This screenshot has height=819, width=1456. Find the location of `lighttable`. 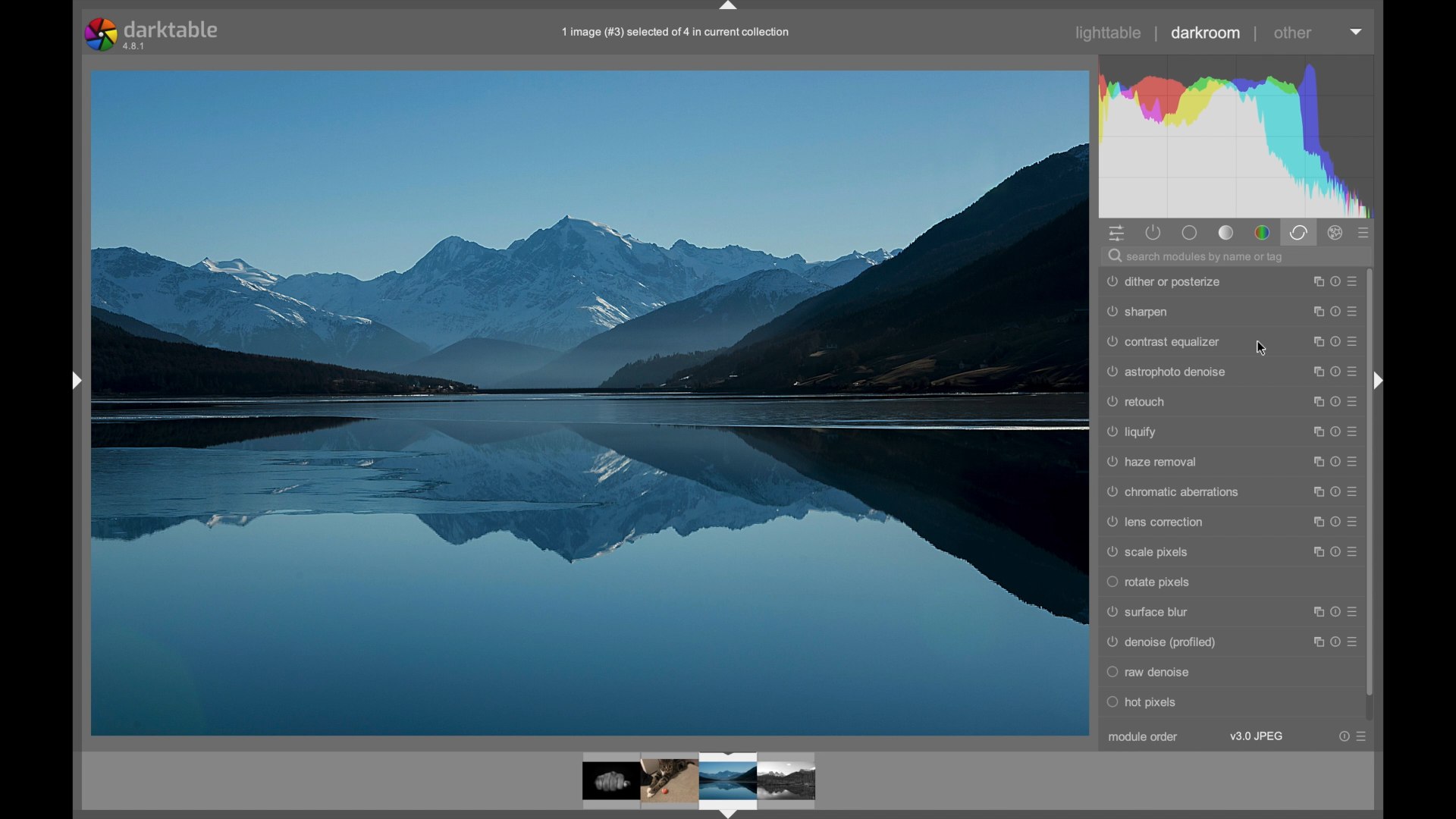

lighttable is located at coordinates (1109, 33).